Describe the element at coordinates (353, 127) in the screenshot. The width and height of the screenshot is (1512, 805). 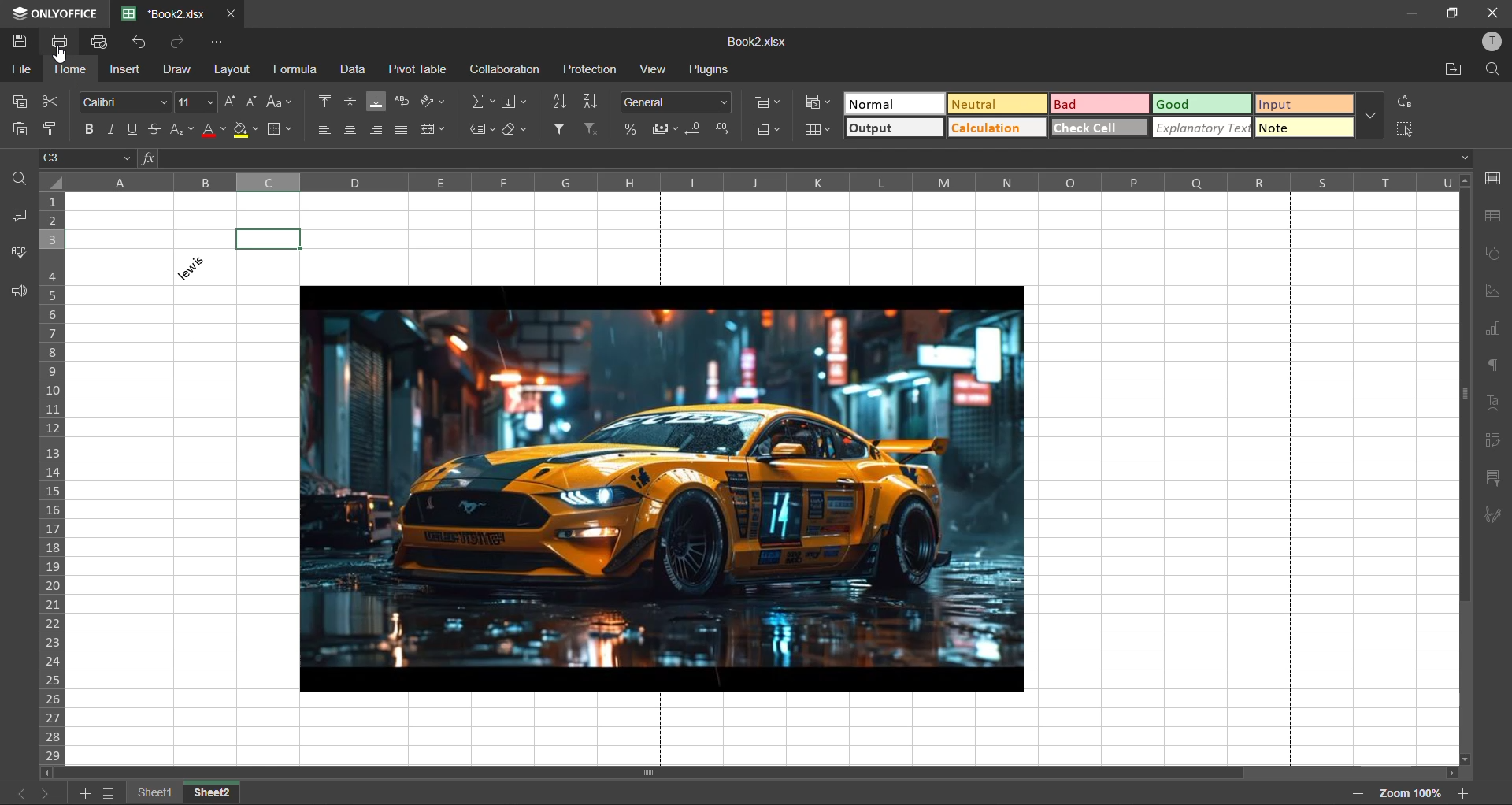
I see `align center` at that location.